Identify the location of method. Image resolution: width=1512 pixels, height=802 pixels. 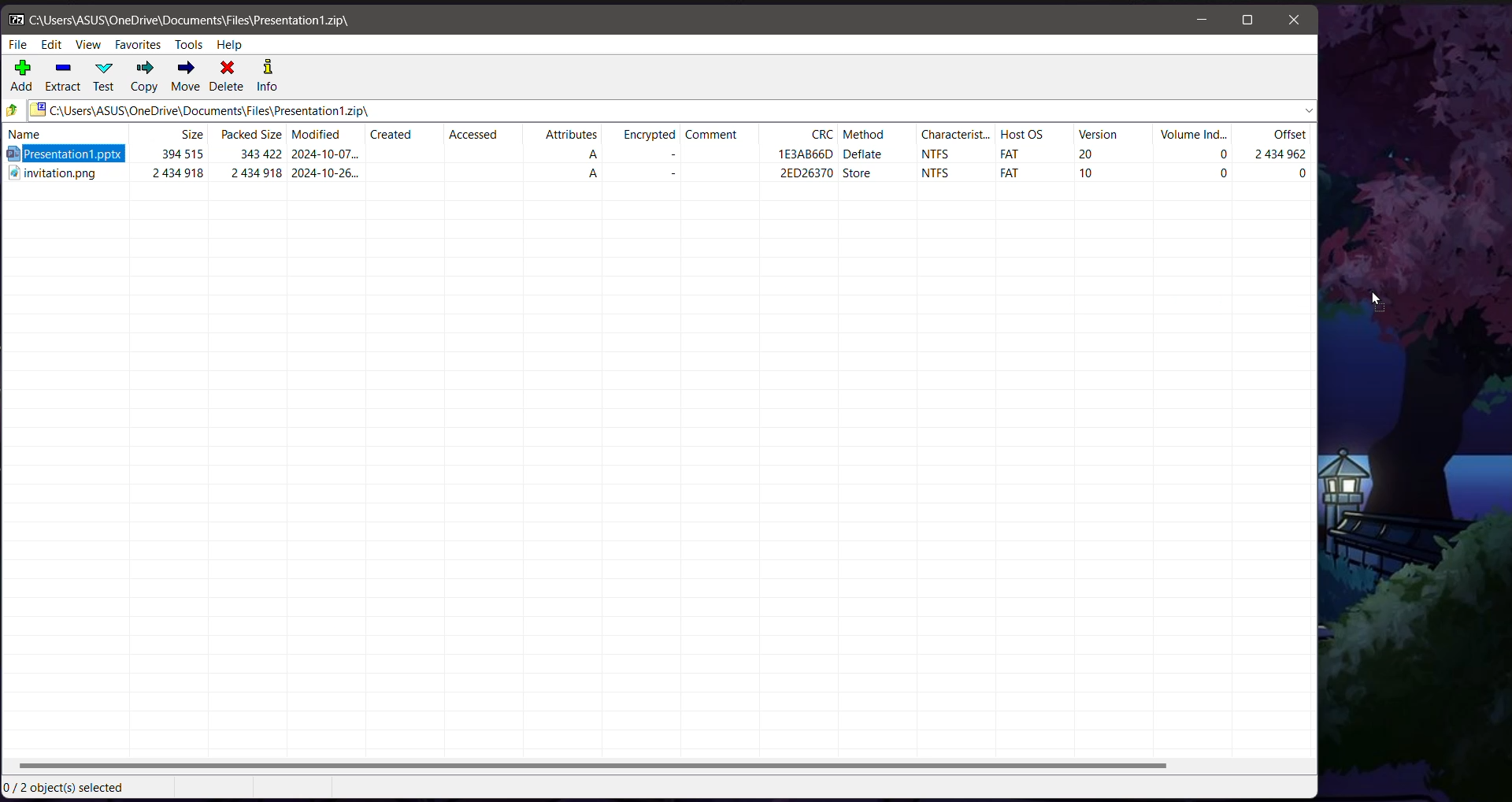
(872, 136).